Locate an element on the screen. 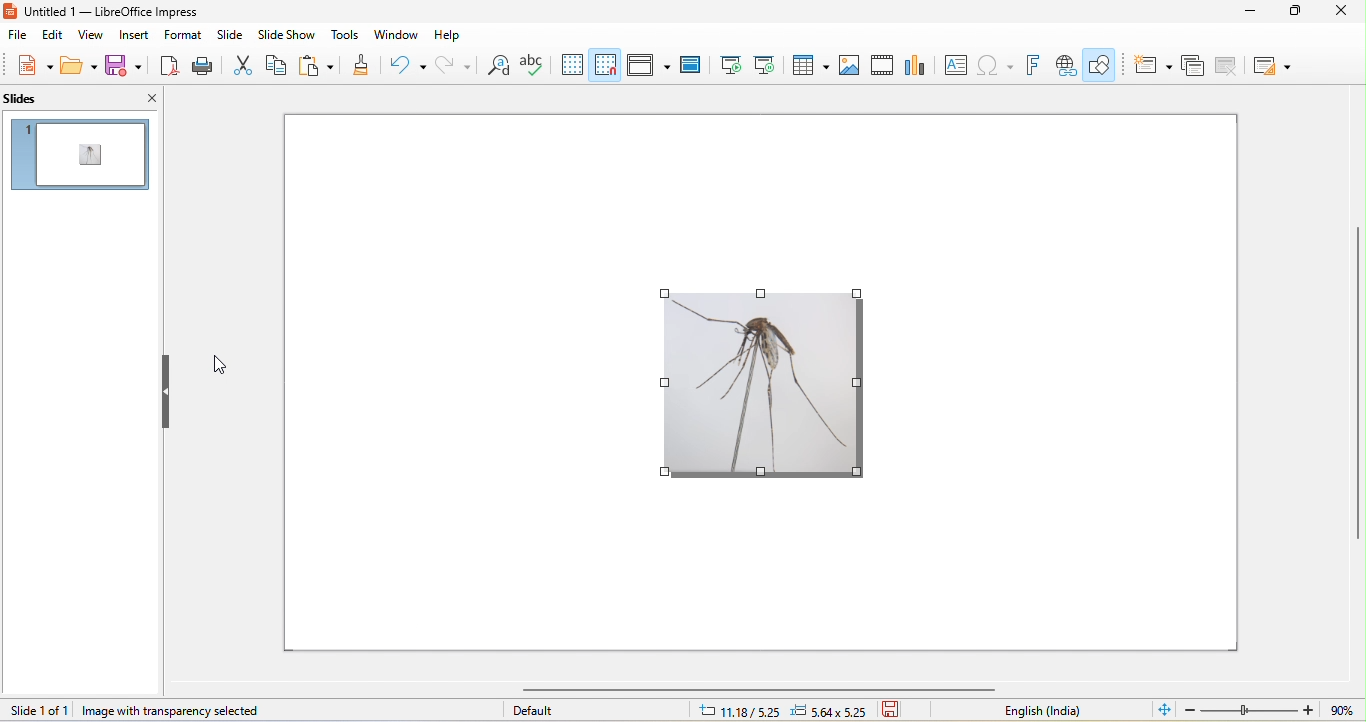 This screenshot has width=1366, height=722. fit to window is located at coordinates (1165, 709).